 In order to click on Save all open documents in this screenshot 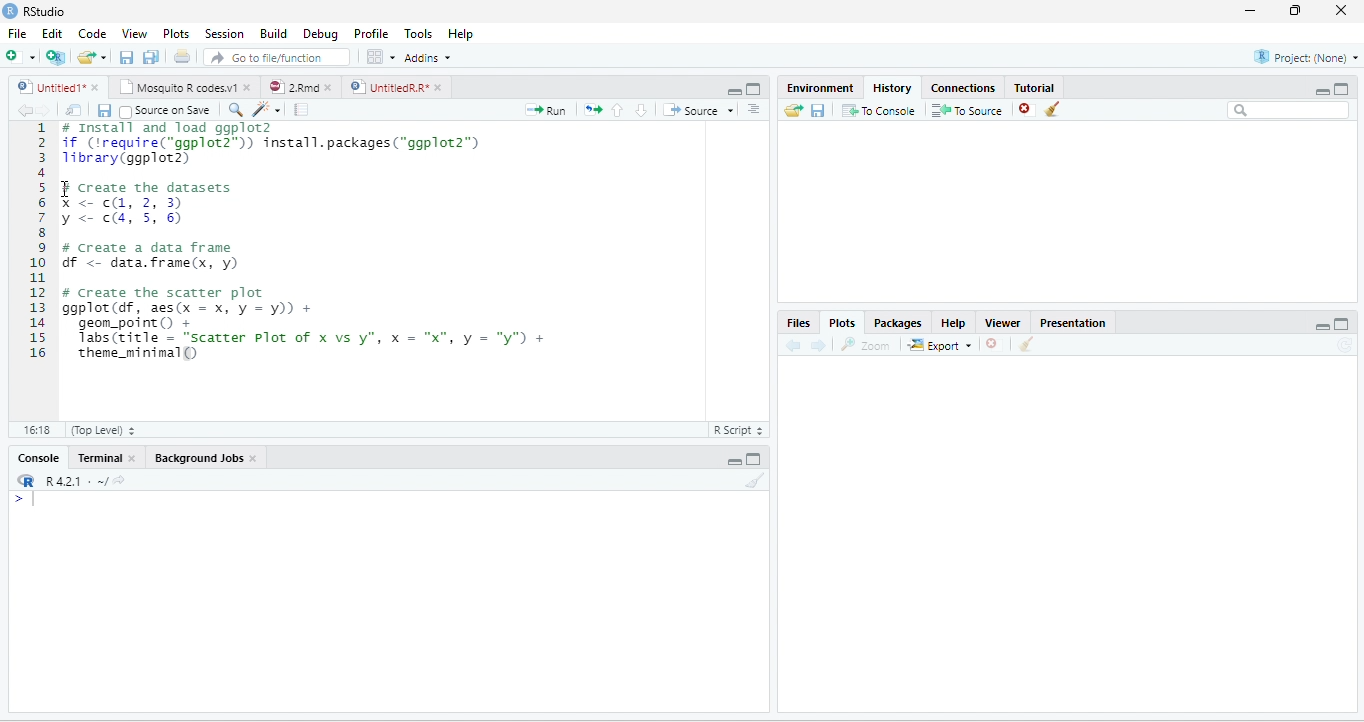, I will do `click(151, 56)`.